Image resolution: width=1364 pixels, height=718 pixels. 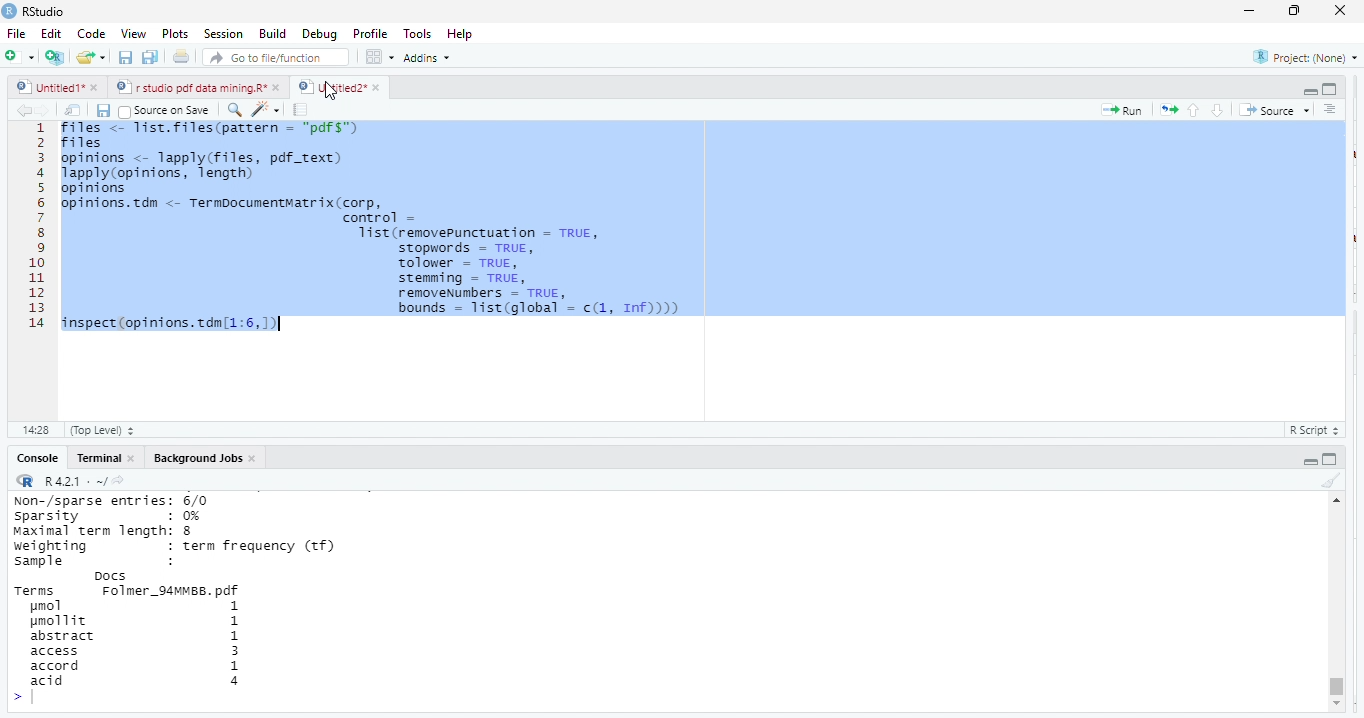 I want to click on profile, so click(x=370, y=32).